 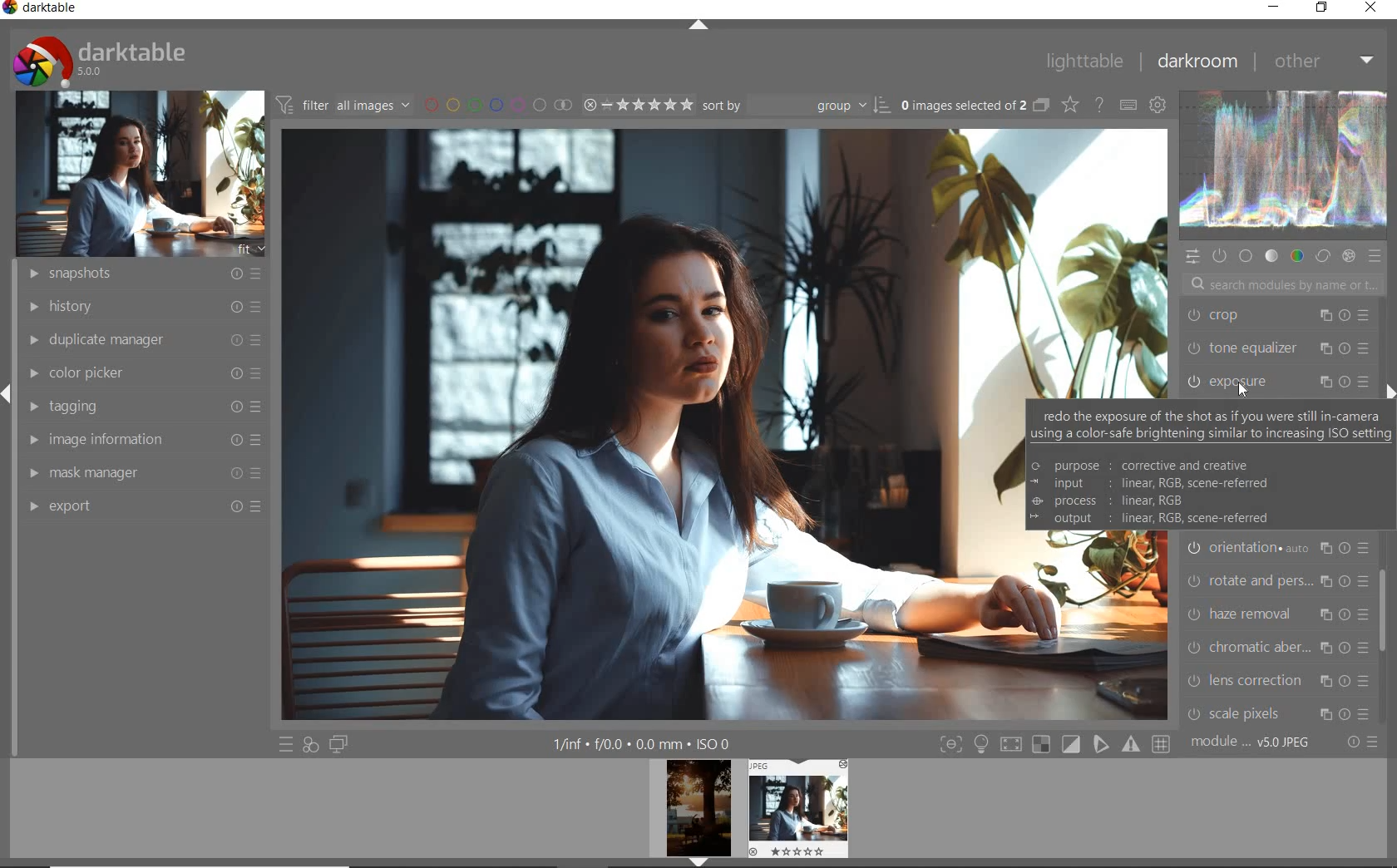 I want to click on LIGHTTABLE, so click(x=1085, y=62).